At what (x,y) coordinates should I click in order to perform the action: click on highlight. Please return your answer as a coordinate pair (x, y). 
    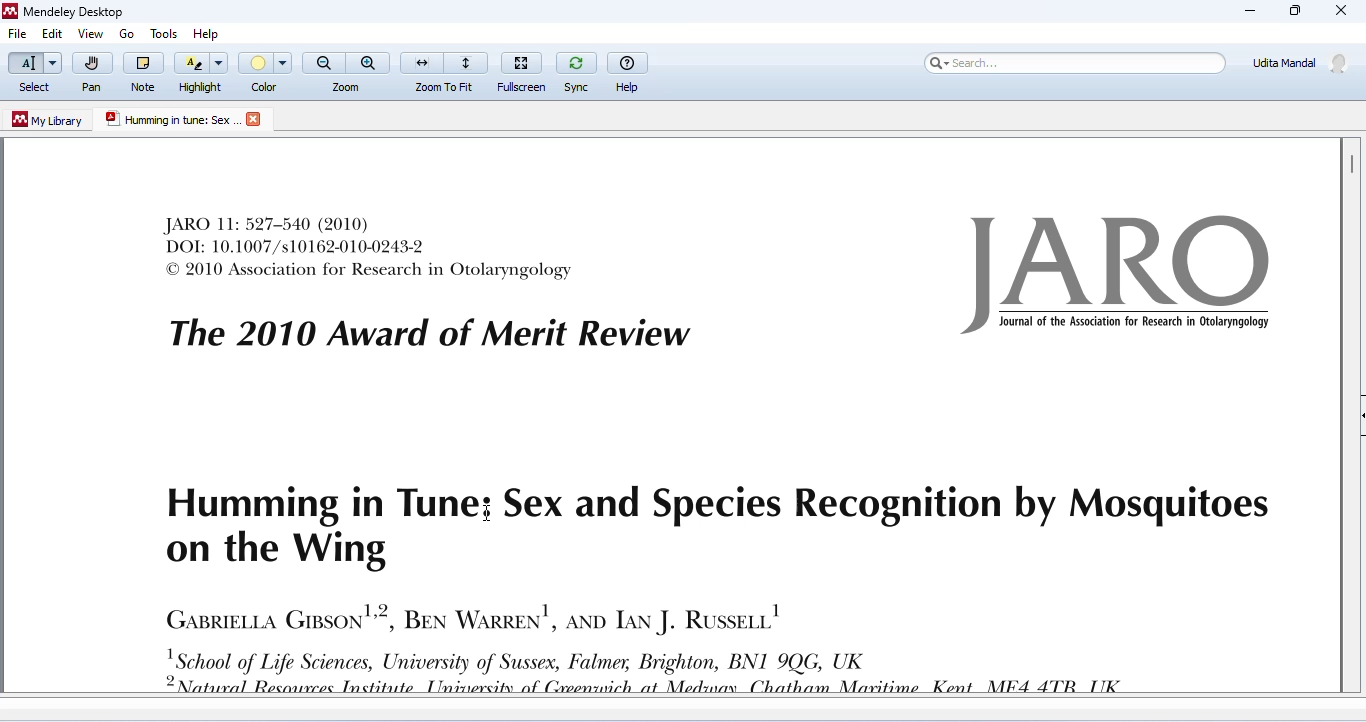
    Looking at the image, I should click on (202, 71).